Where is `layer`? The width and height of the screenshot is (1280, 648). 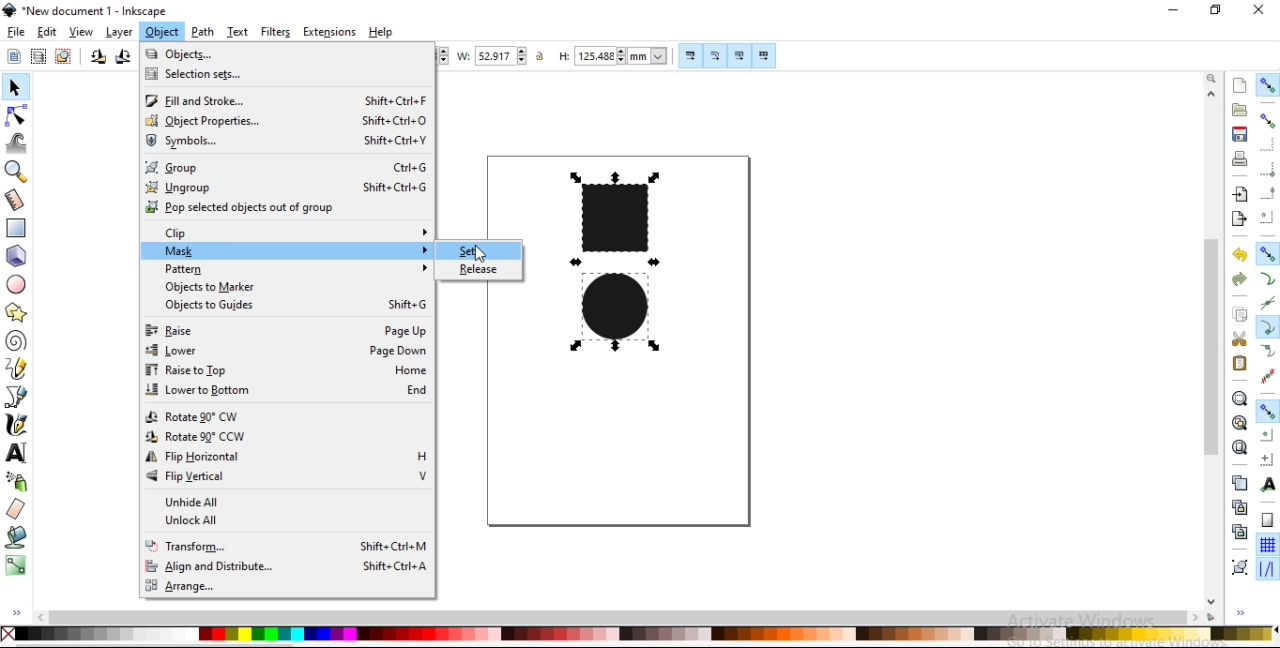 layer is located at coordinates (118, 33).